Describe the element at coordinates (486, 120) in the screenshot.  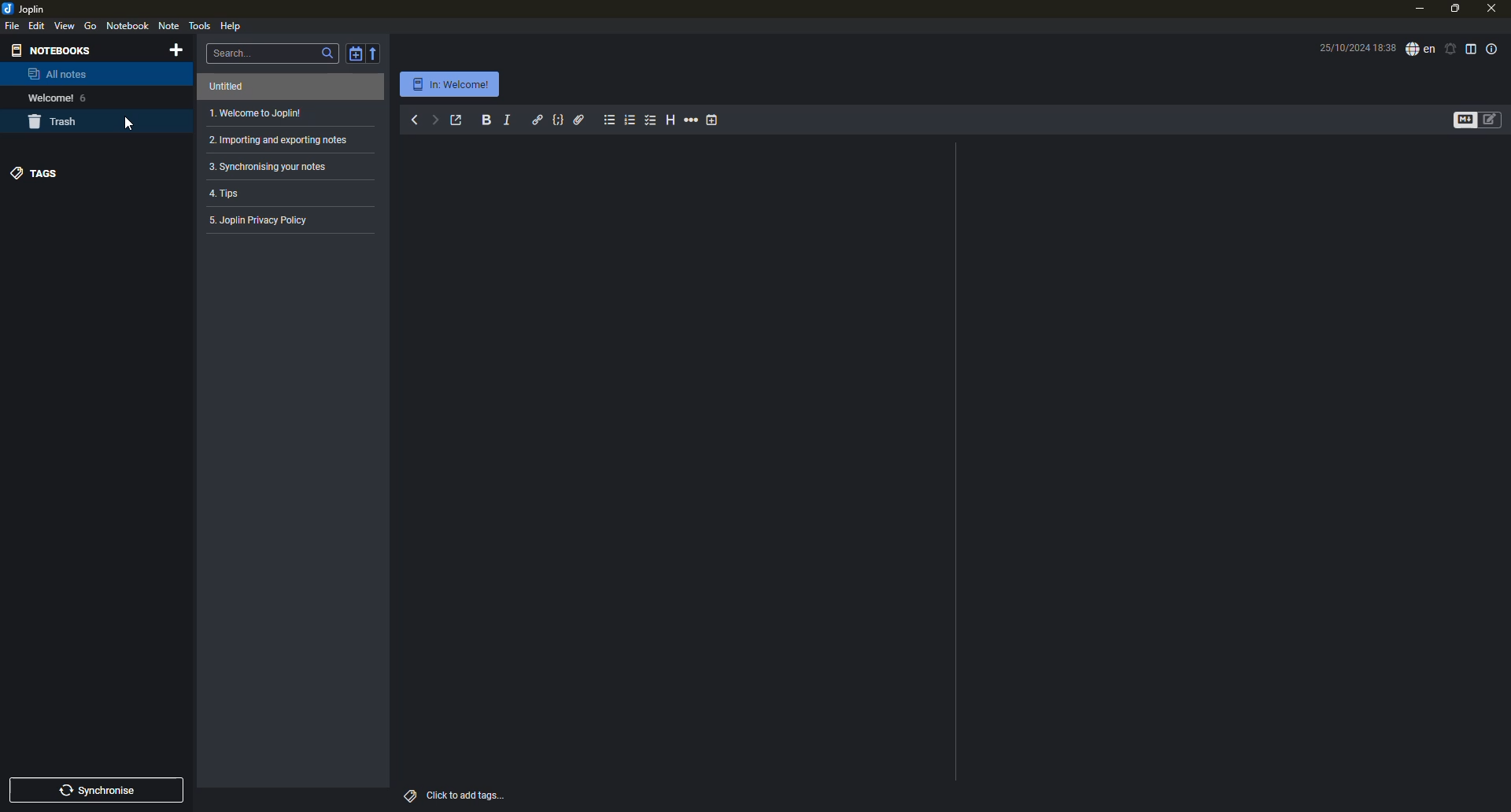
I see `bold` at that location.